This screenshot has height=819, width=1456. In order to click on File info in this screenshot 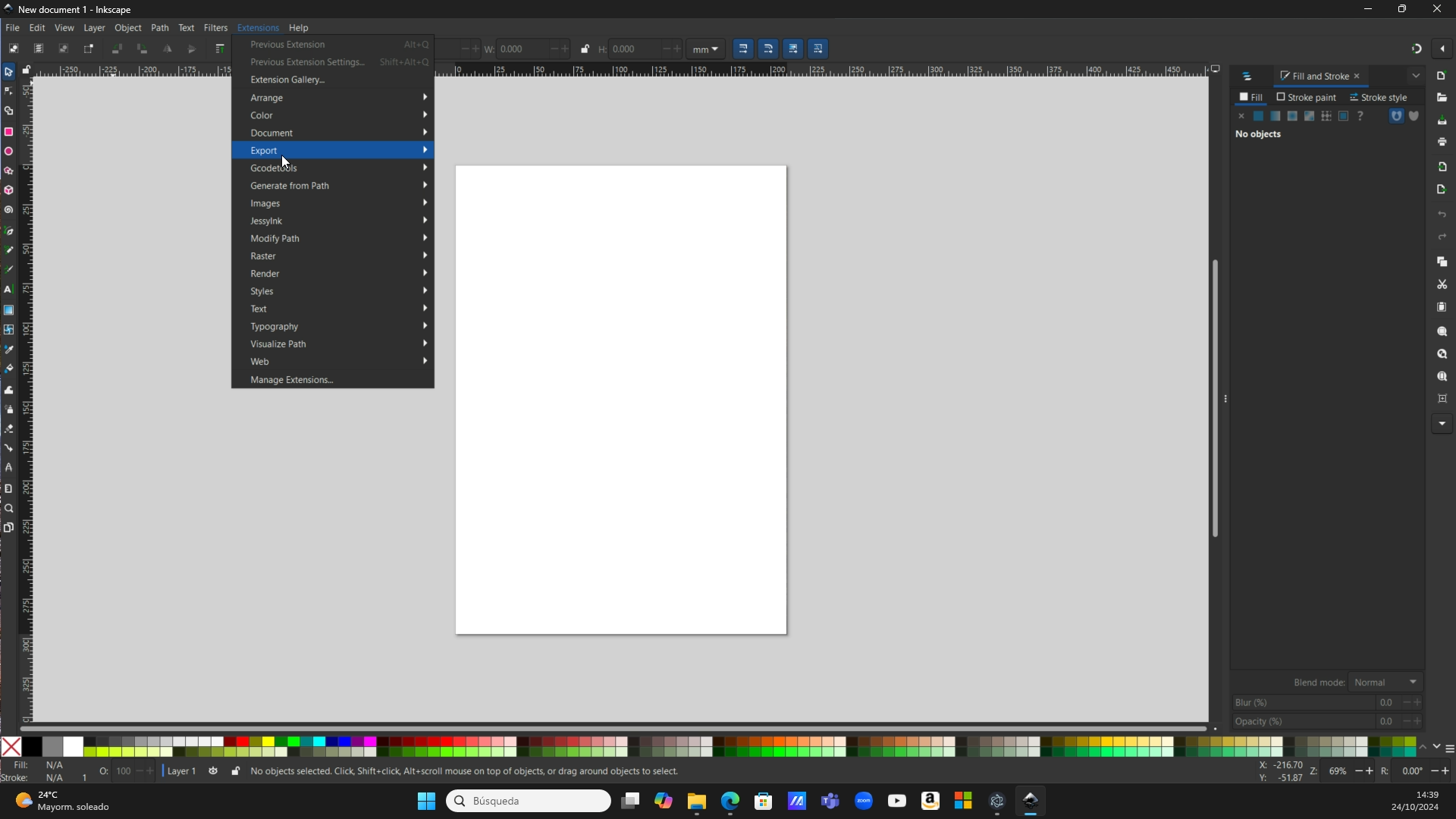, I will do `click(342, 772)`.